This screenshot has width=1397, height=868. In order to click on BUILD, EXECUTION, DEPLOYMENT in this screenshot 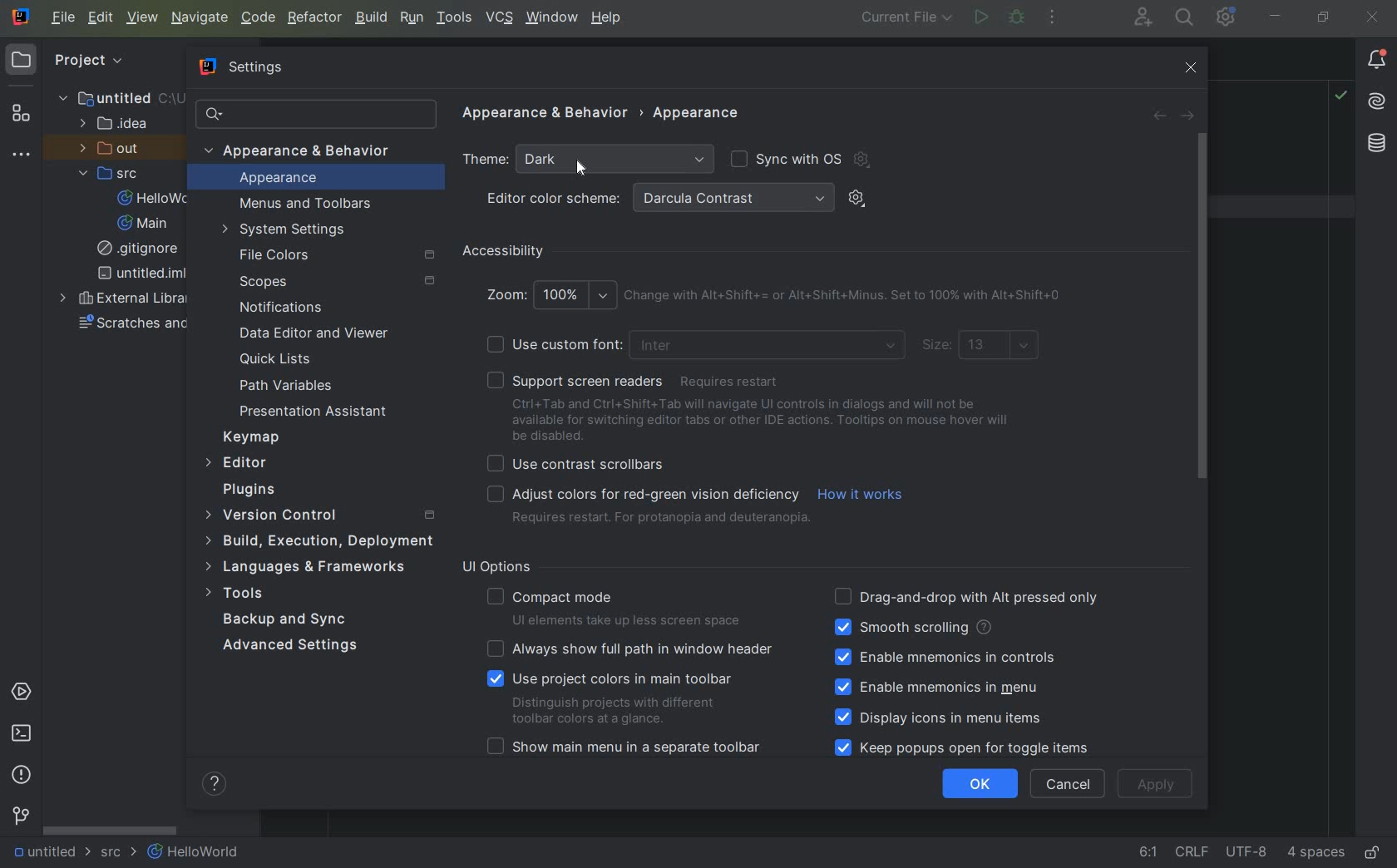, I will do `click(318, 540)`.